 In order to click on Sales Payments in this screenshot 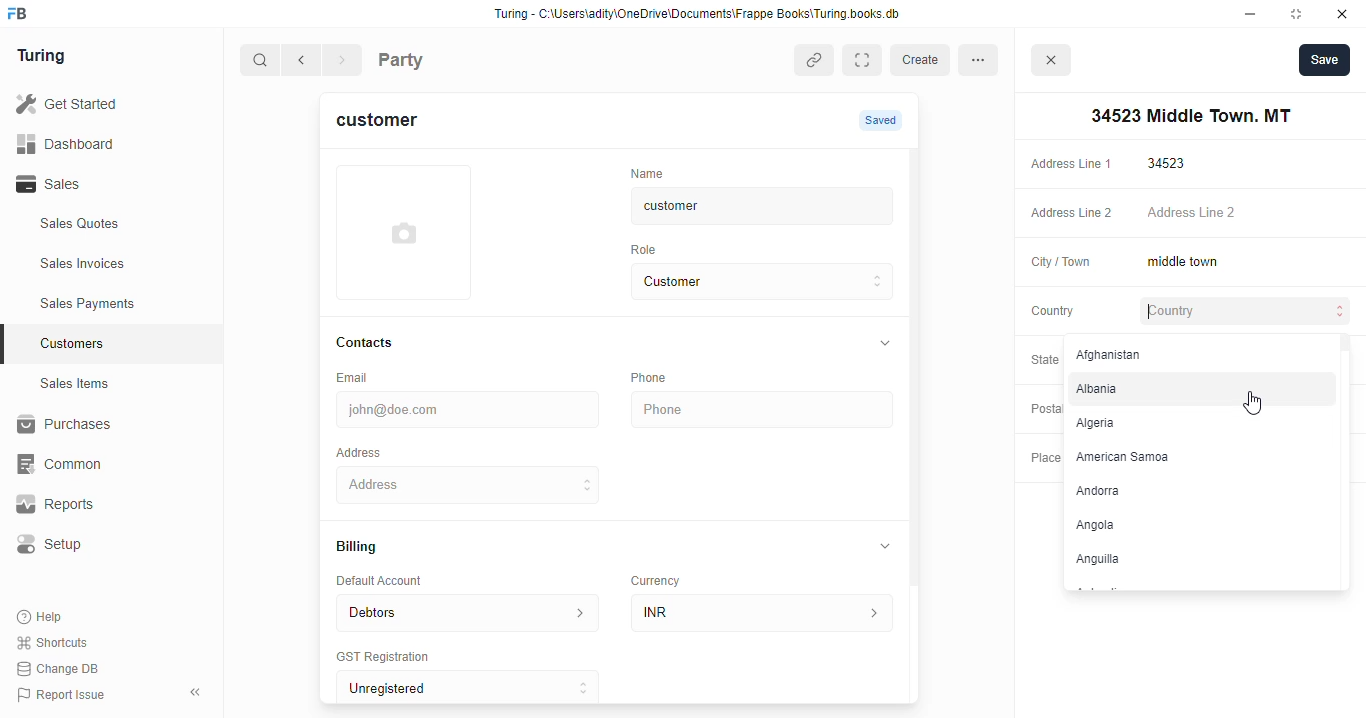, I will do `click(118, 304)`.